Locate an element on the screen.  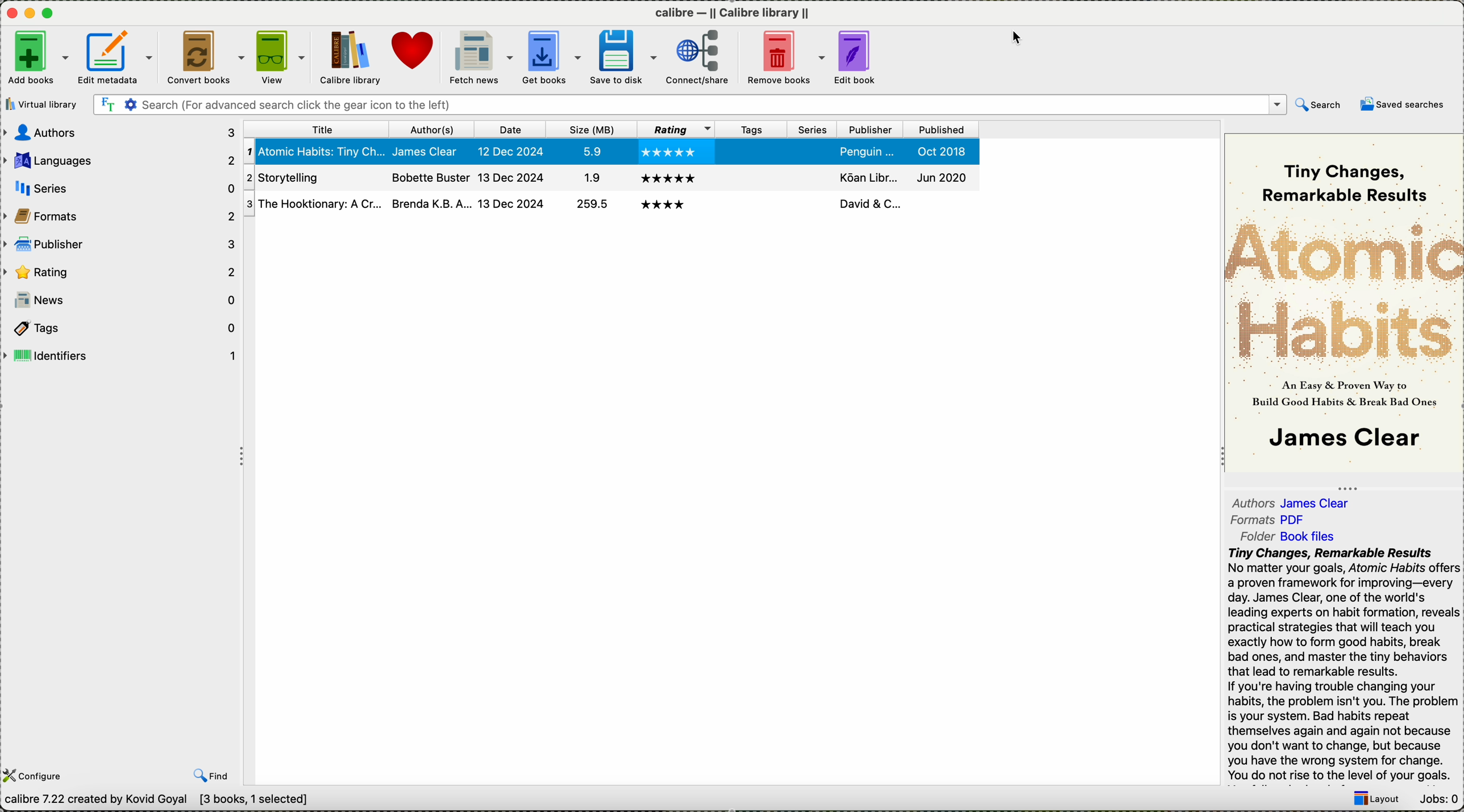
save to disk is located at coordinates (626, 56).